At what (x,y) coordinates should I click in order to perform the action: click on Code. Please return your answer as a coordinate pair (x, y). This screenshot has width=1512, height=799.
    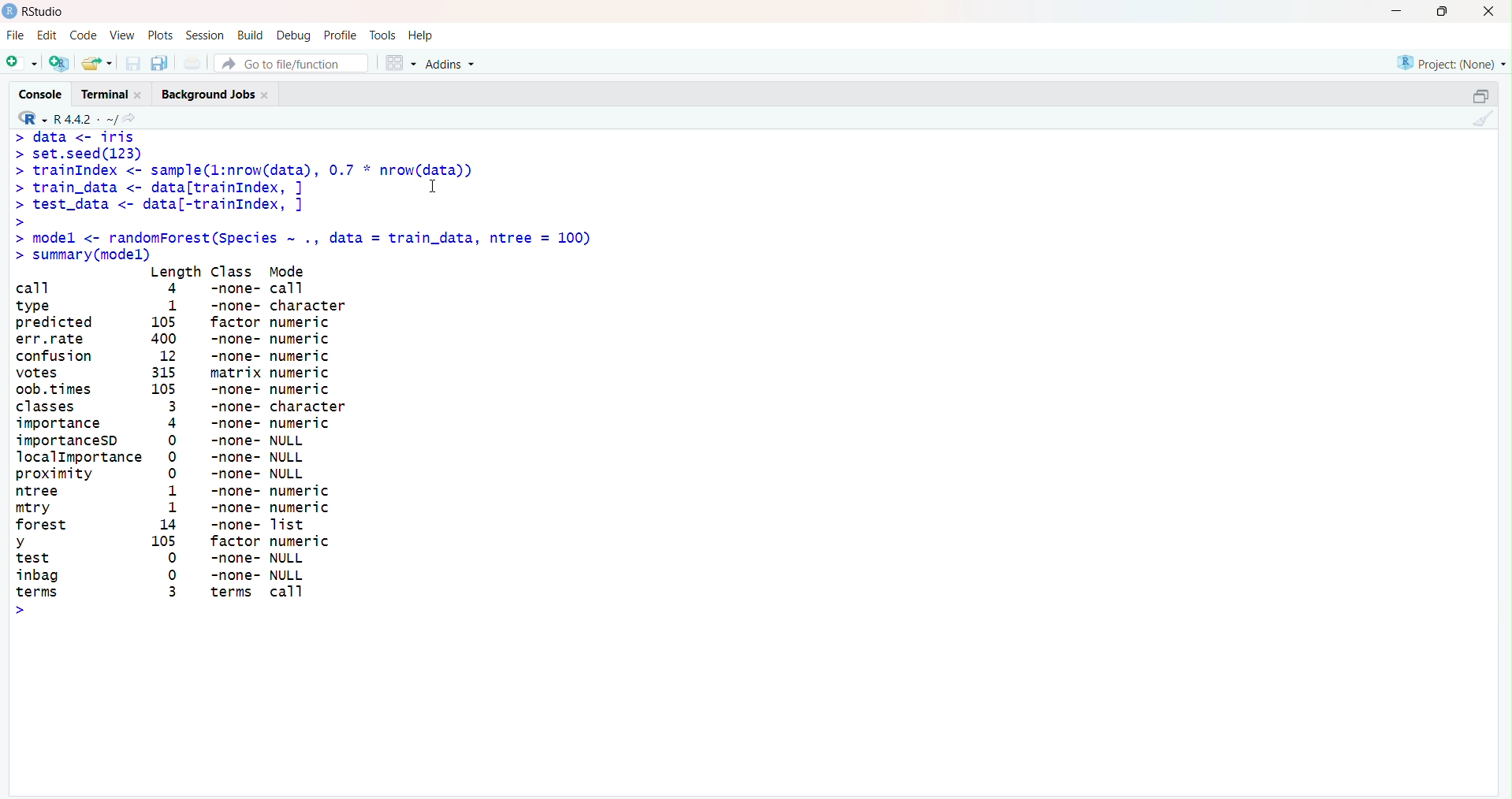
    Looking at the image, I should click on (82, 35).